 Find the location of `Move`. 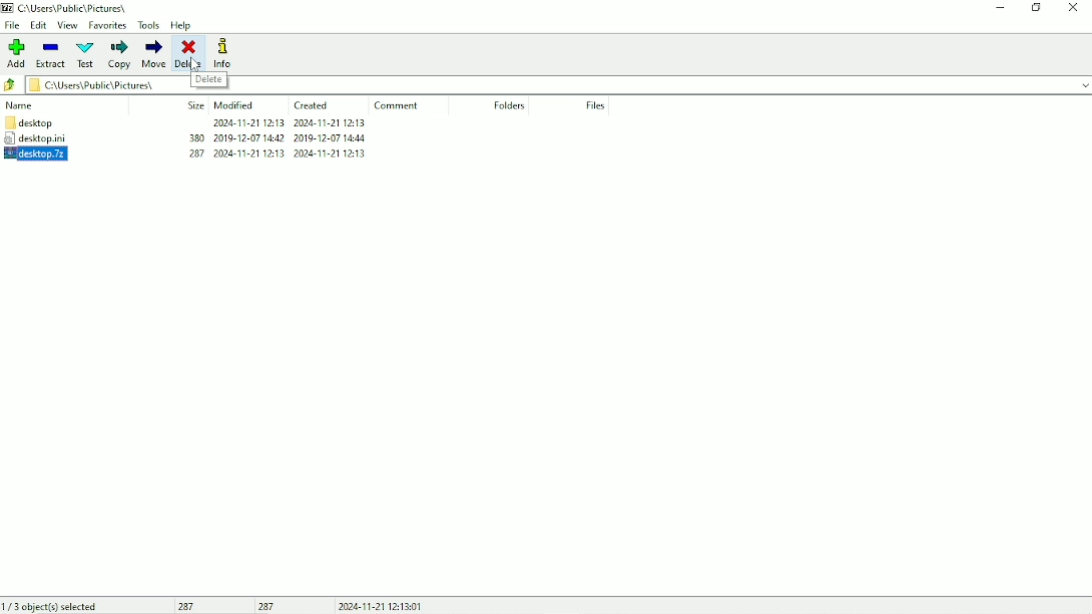

Move is located at coordinates (153, 54).